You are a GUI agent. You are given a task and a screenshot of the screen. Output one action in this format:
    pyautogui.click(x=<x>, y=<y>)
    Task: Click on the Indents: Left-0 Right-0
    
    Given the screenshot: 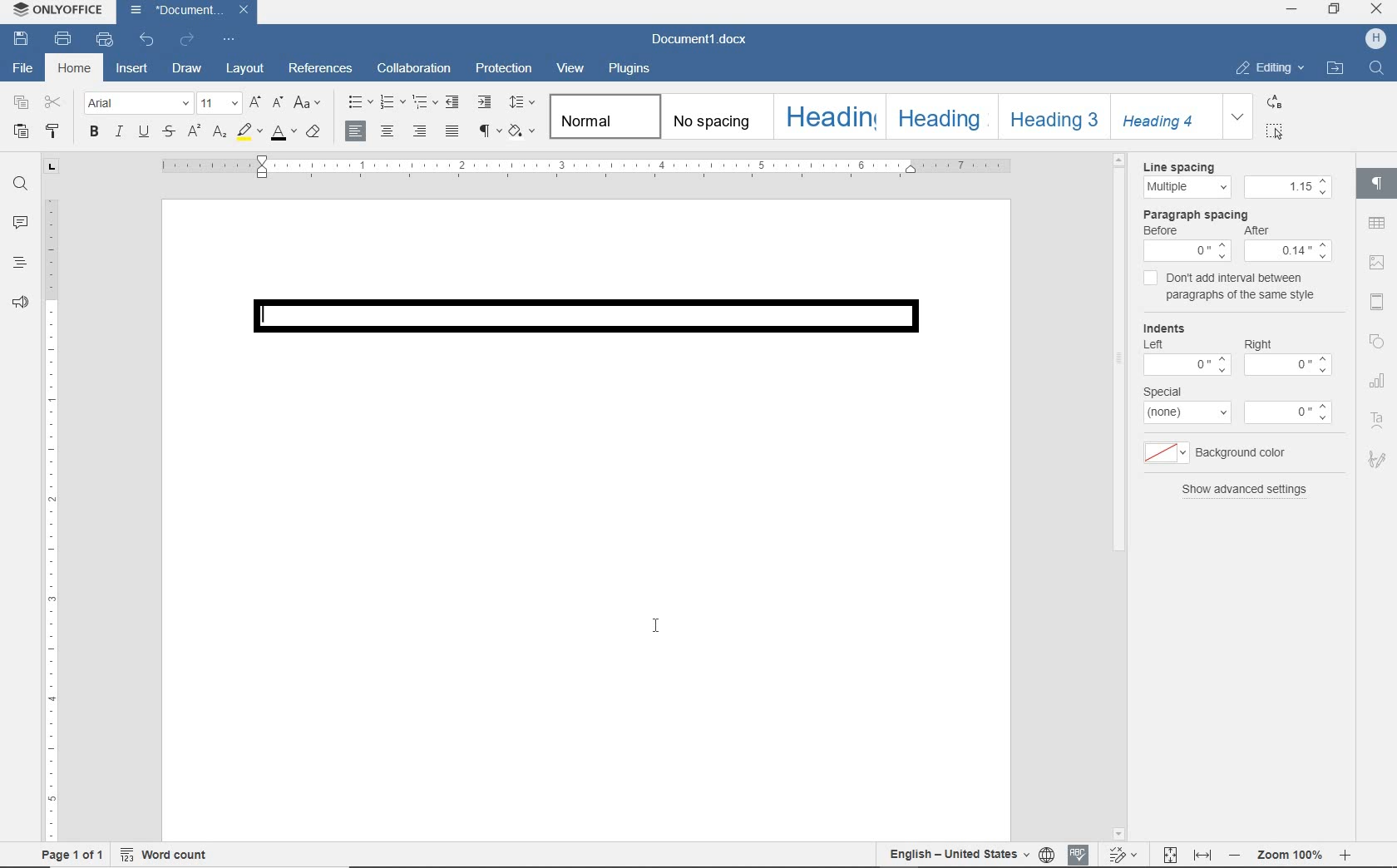 What is the action you would take?
    pyautogui.click(x=1237, y=350)
    